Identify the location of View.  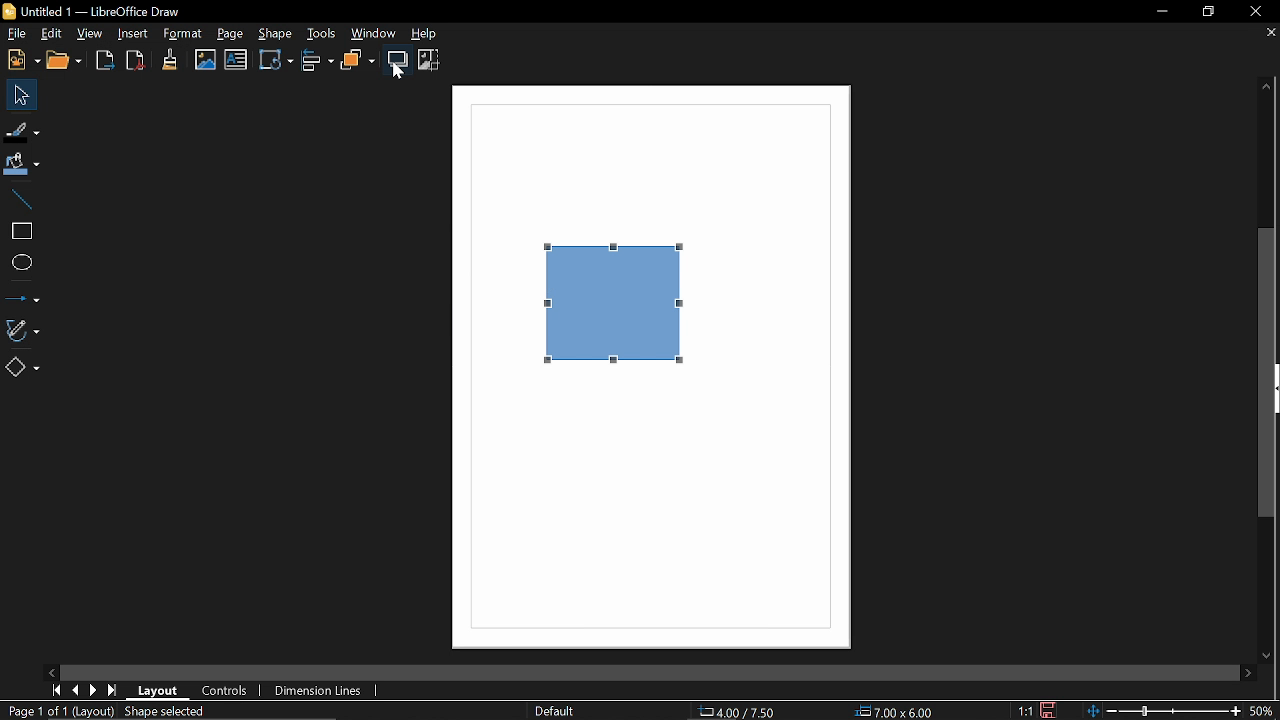
(90, 34).